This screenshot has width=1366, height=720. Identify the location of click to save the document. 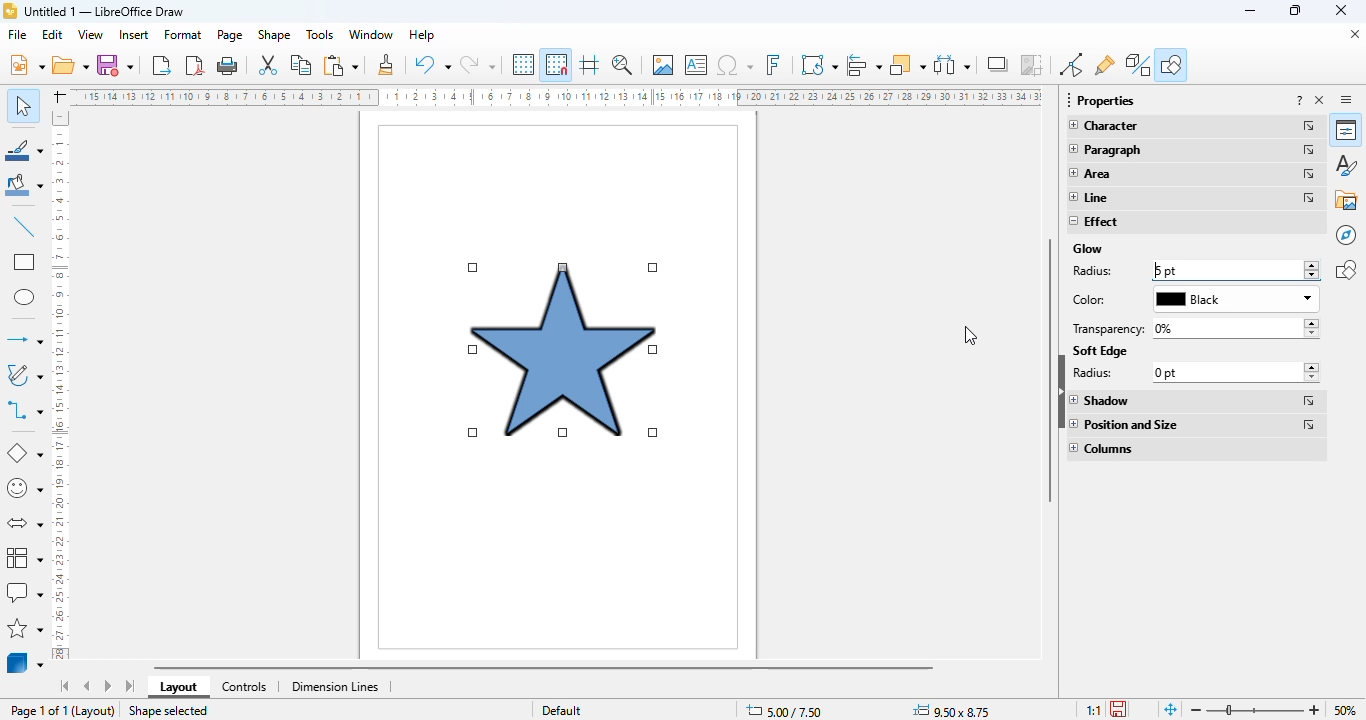
(1118, 709).